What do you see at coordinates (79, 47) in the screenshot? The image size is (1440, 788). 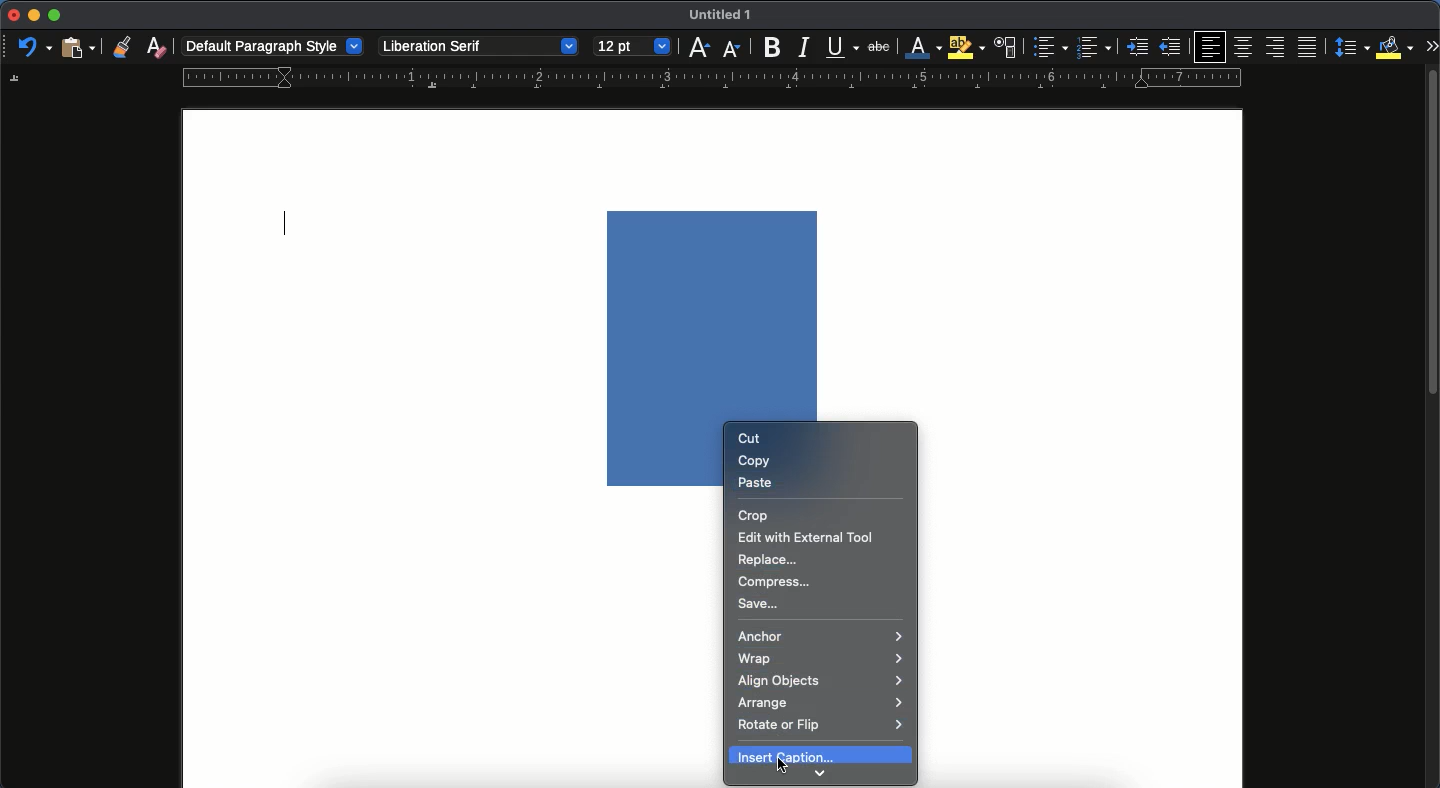 I see `paste` at bounding box center [79, 47].